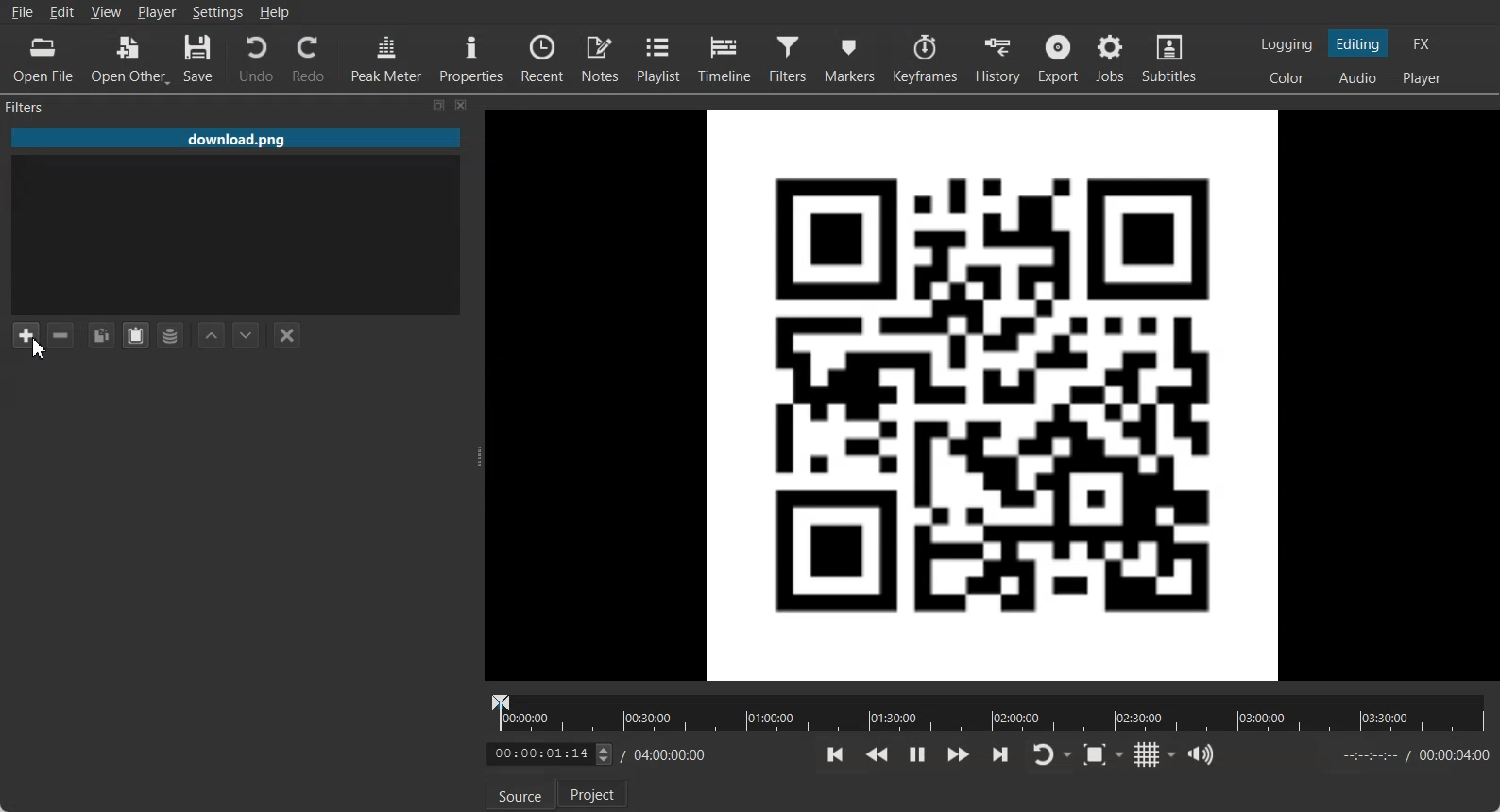  What do you see at coordinates (1123, 753) in the screenshot?
I see `Drop down box` at bounding box center [1123, 753].